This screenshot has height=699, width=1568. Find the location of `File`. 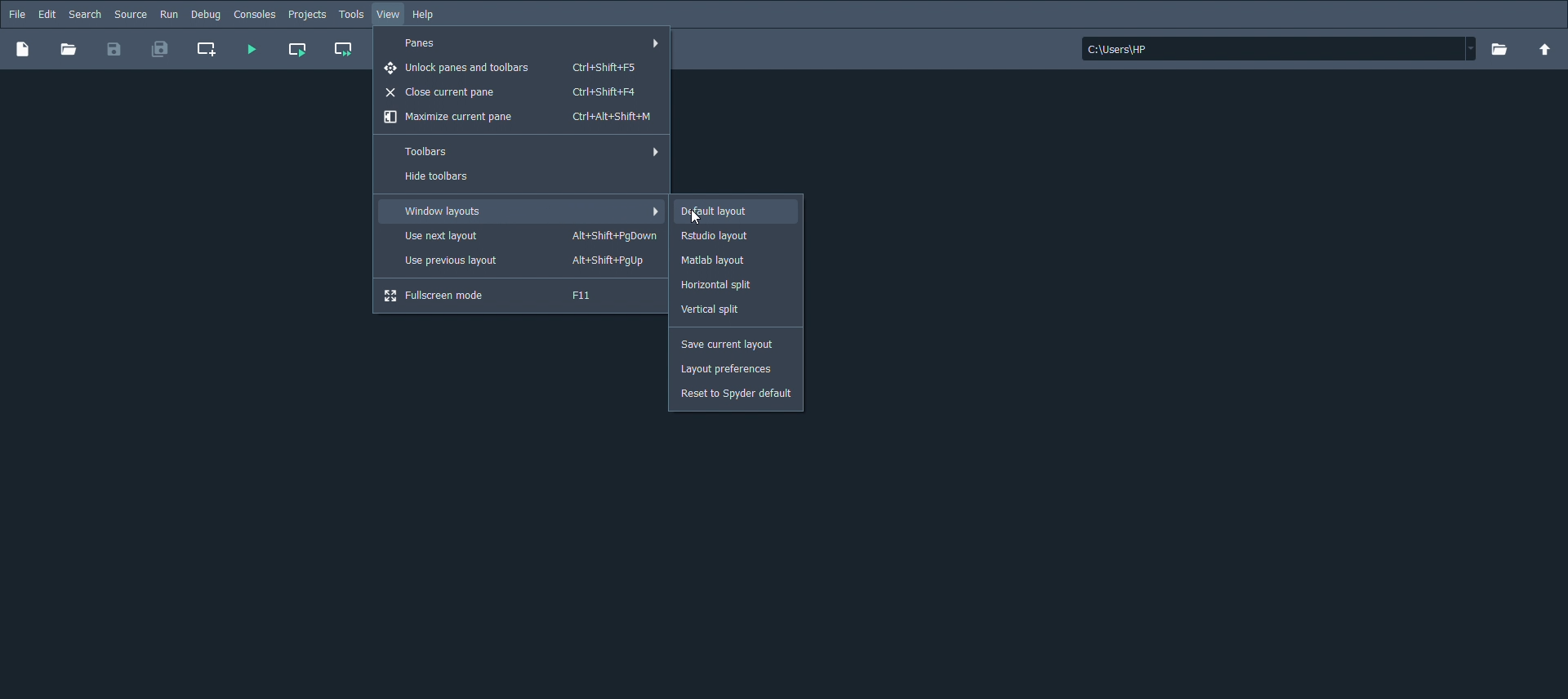

File is located at coordinates (16, 13).